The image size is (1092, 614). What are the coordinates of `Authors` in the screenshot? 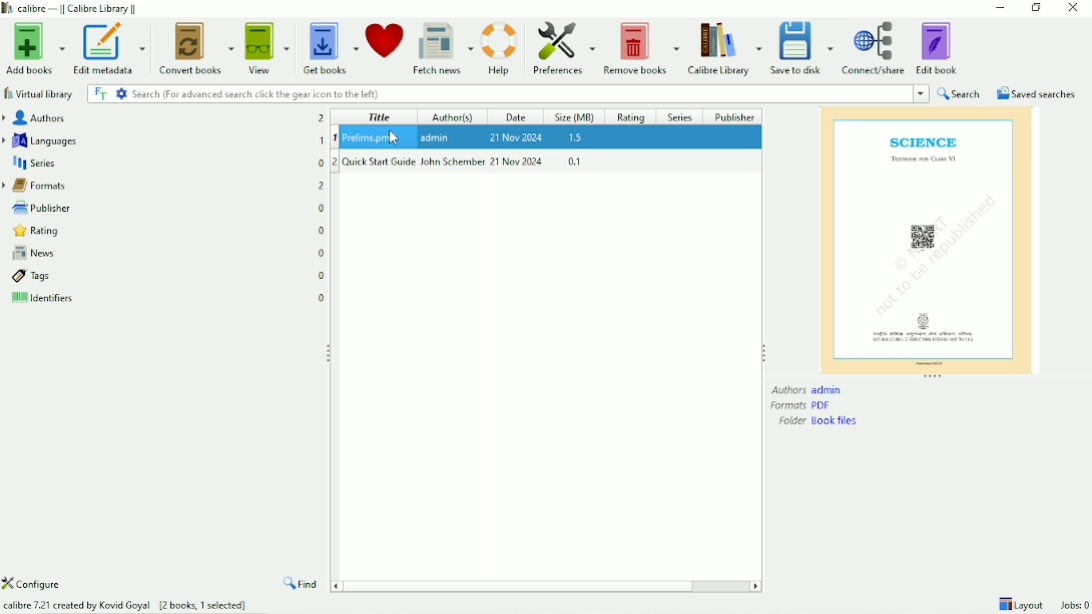 It's located at (808, 390).